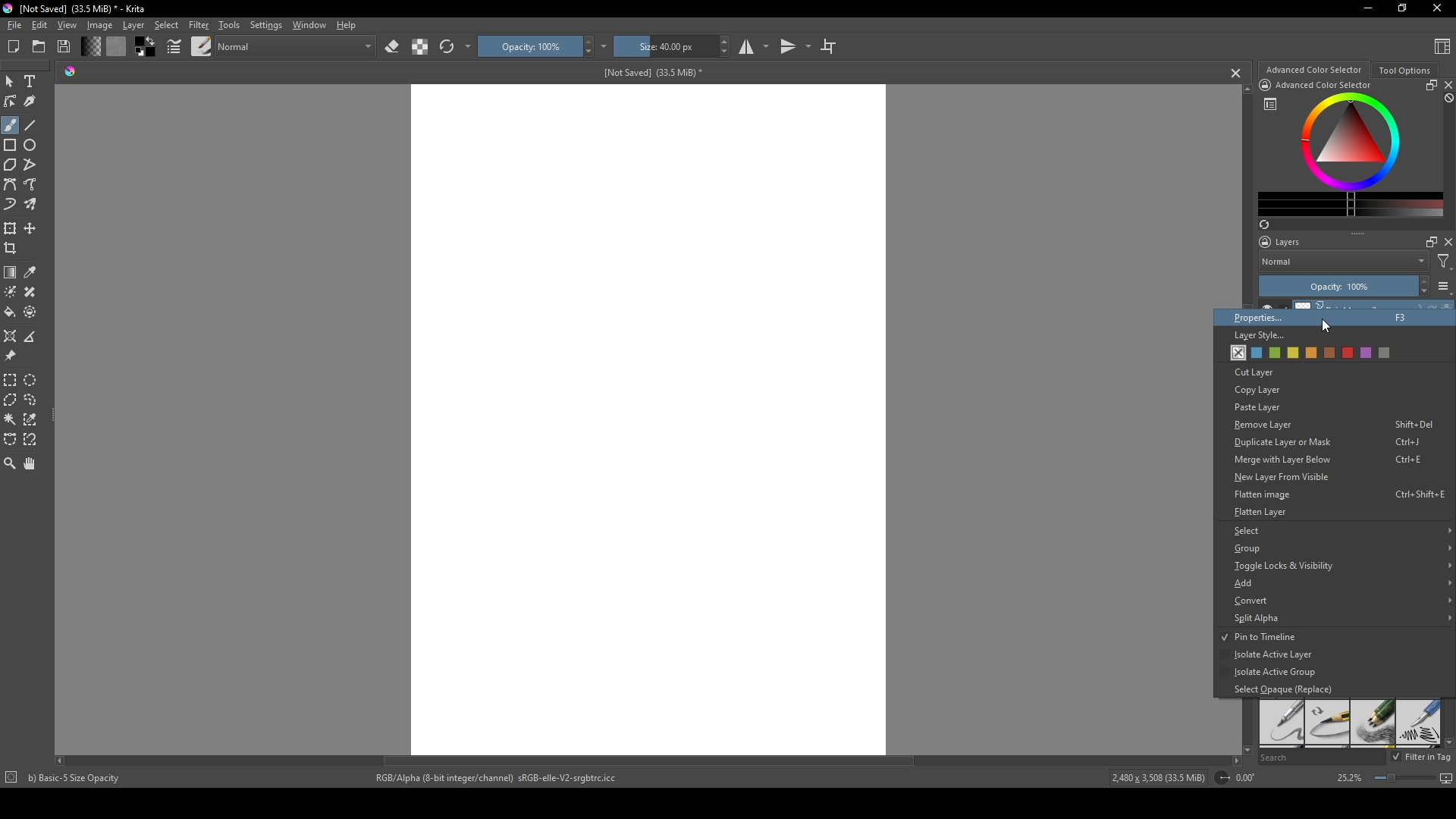 This screenshot has height=819, width=1456. I want to click on New file, so click(11, 48).